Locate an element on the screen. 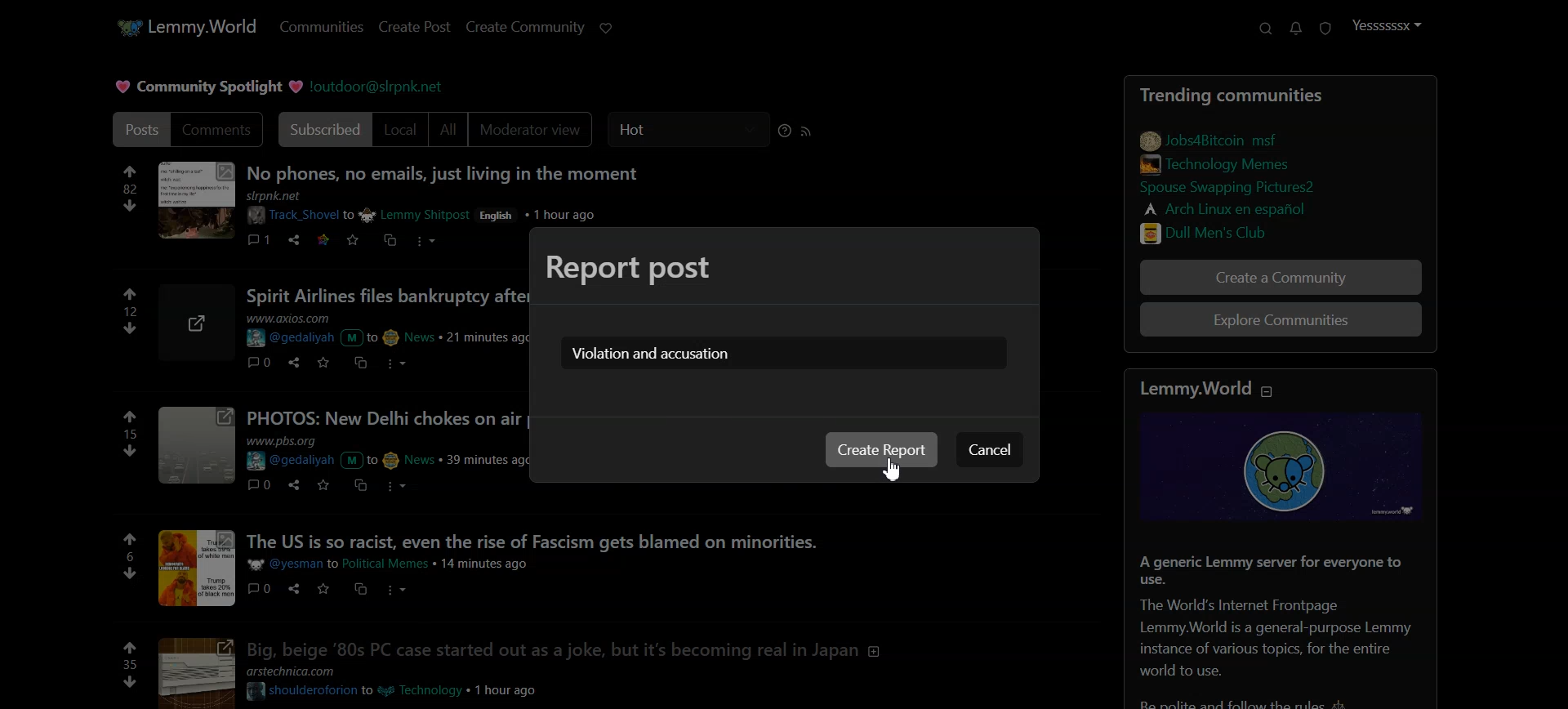  Search is located at coordinates (1265, 29).